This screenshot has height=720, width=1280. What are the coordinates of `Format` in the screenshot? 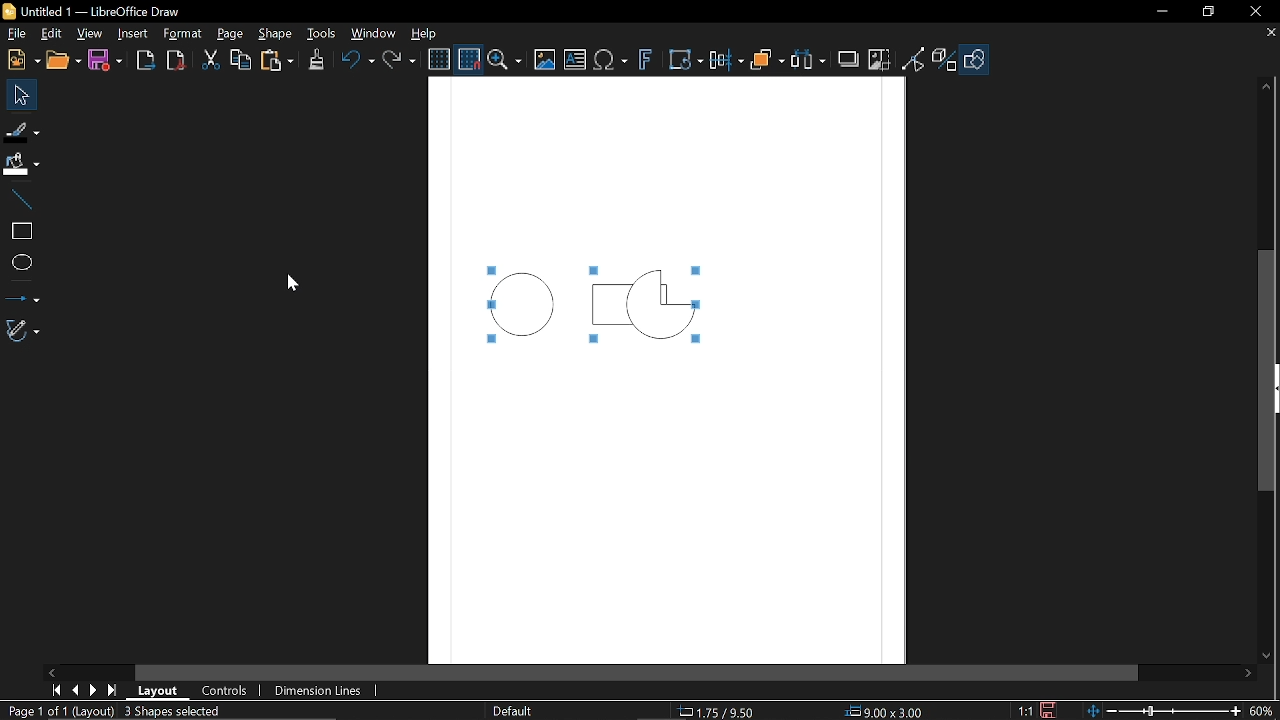 It's located at (181, 34).